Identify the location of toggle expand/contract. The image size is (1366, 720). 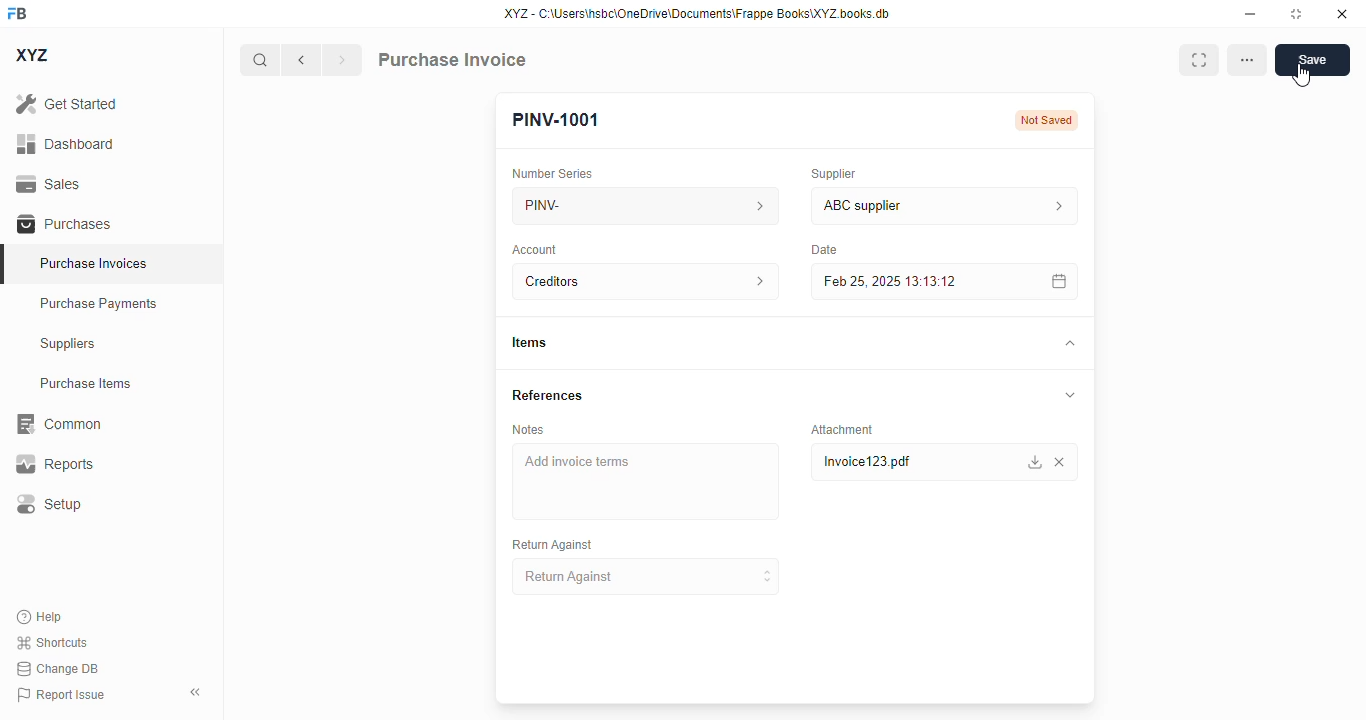
(1068, 344).